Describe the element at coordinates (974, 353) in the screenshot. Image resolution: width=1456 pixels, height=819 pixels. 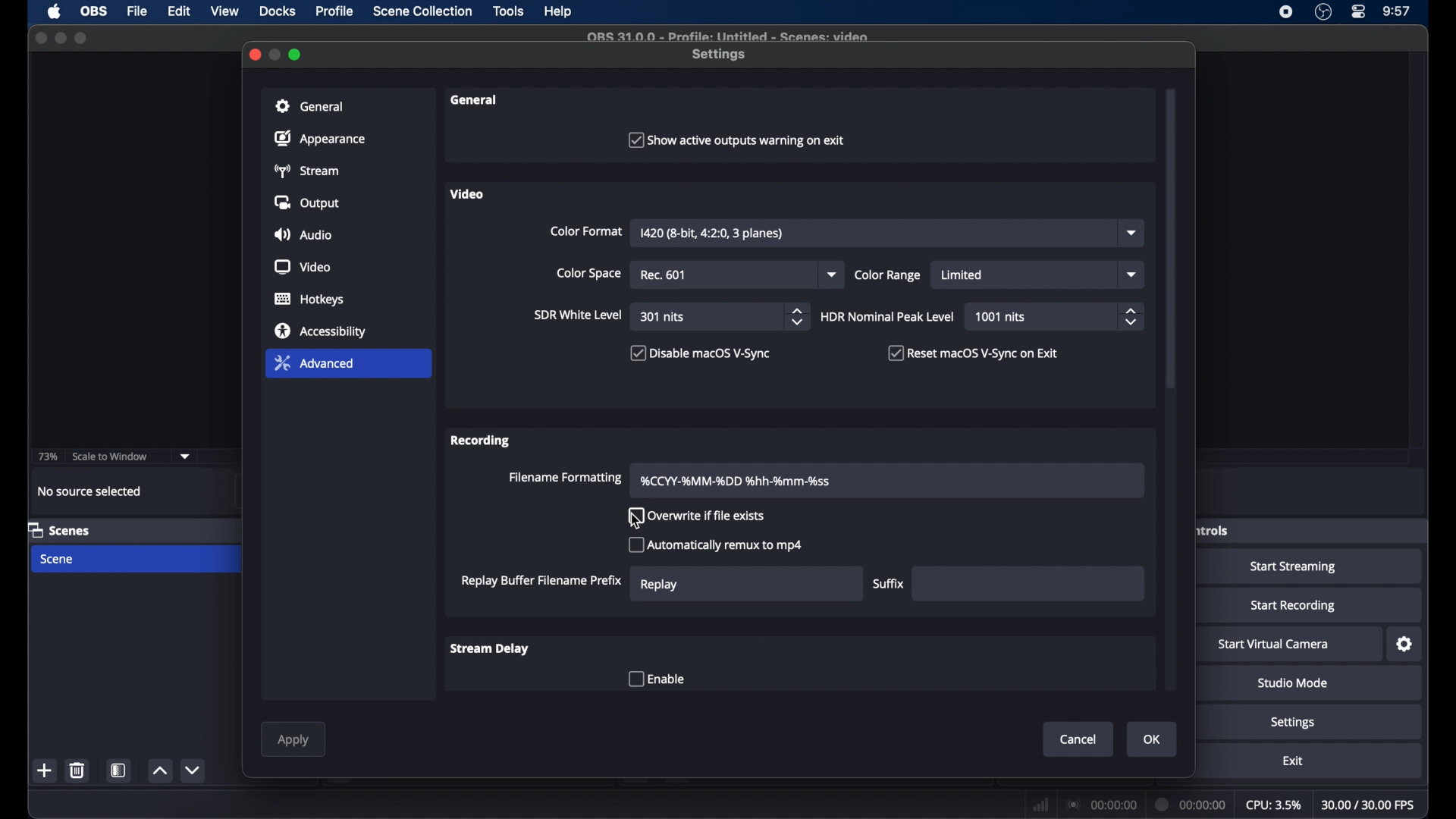
I see `checkbox` at that location.